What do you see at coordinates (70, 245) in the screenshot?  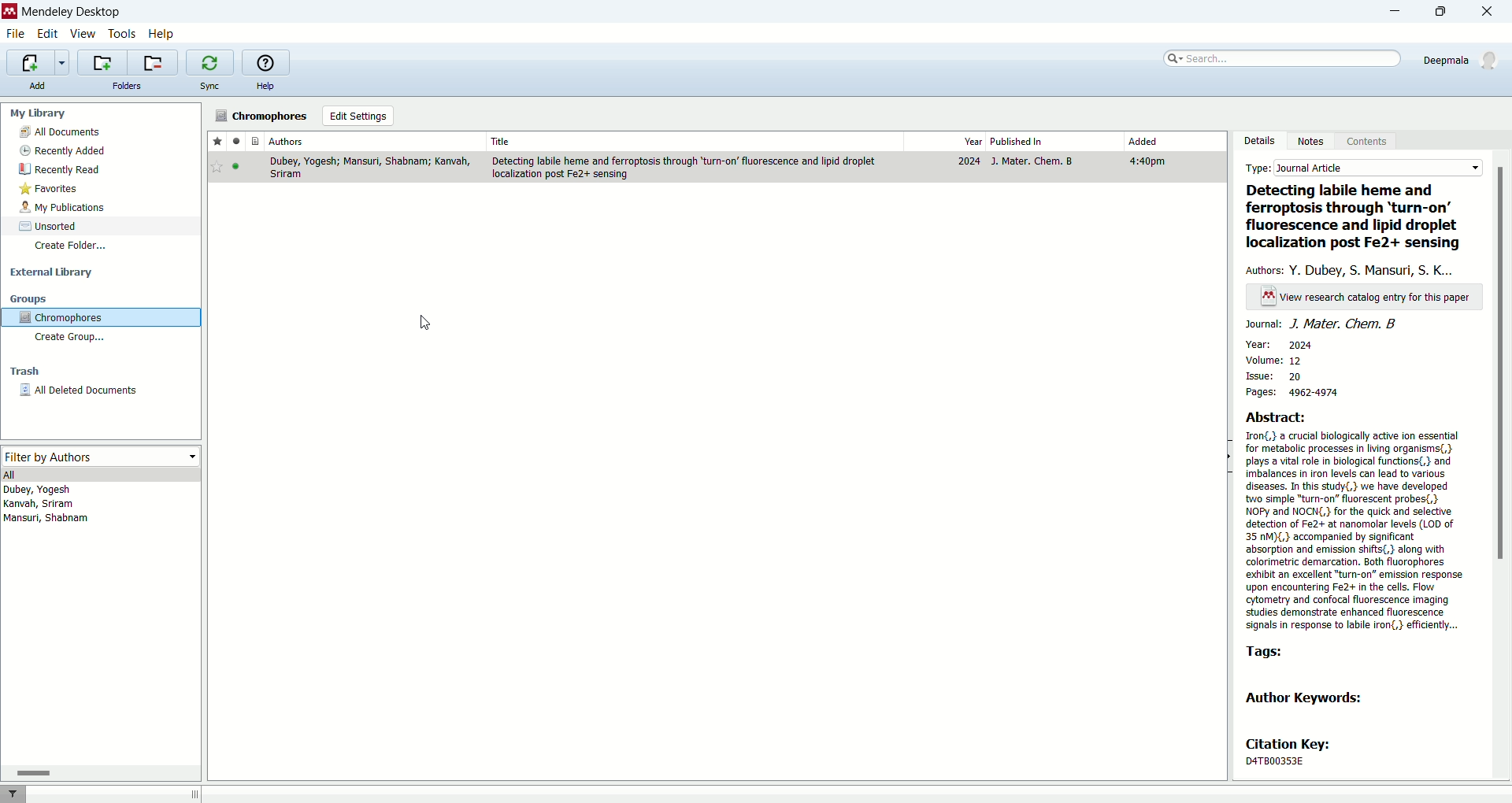 I see `create folder` at bounding box center [70, 245].